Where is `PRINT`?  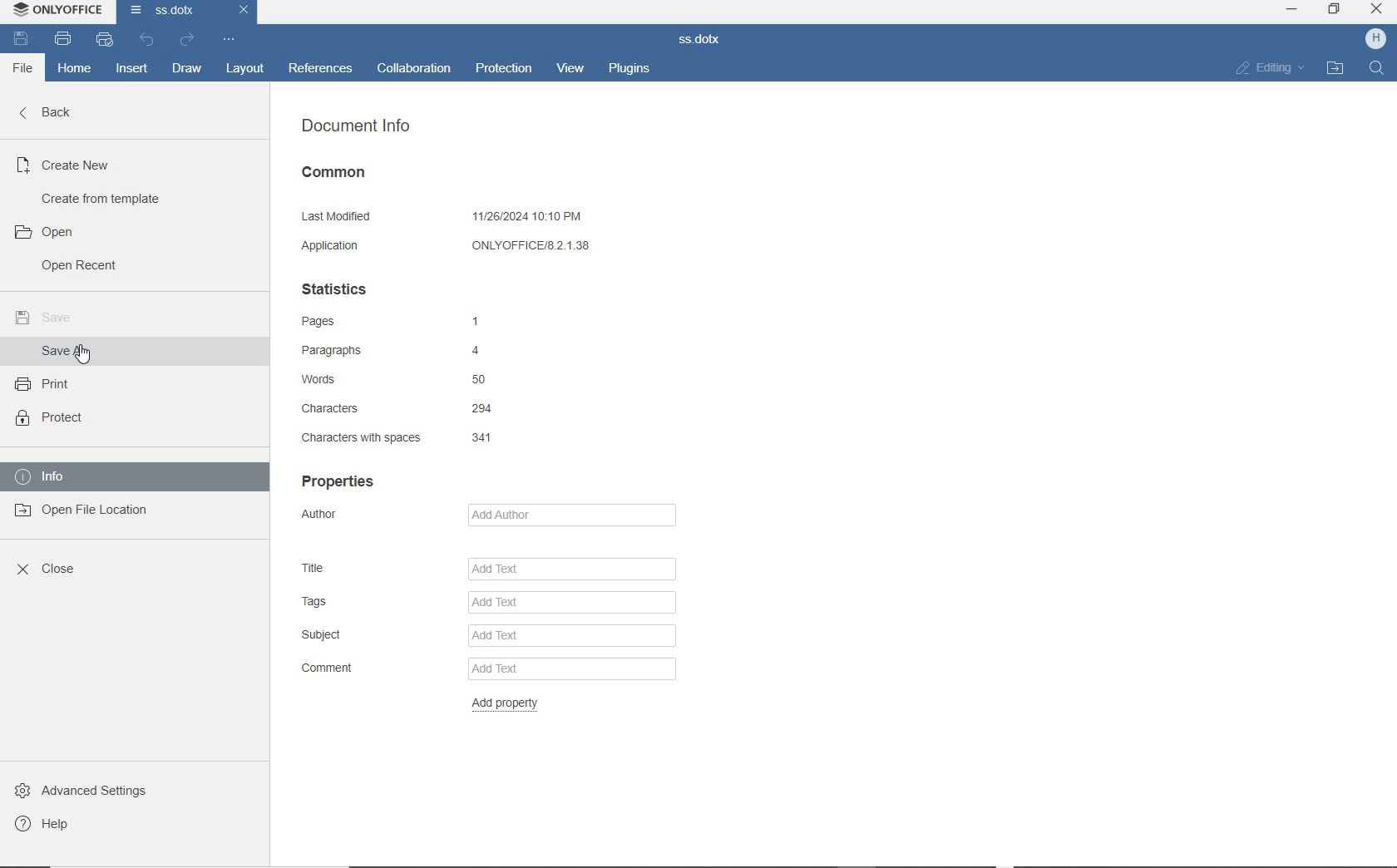 PRINT is located at coordinates (62, 39).